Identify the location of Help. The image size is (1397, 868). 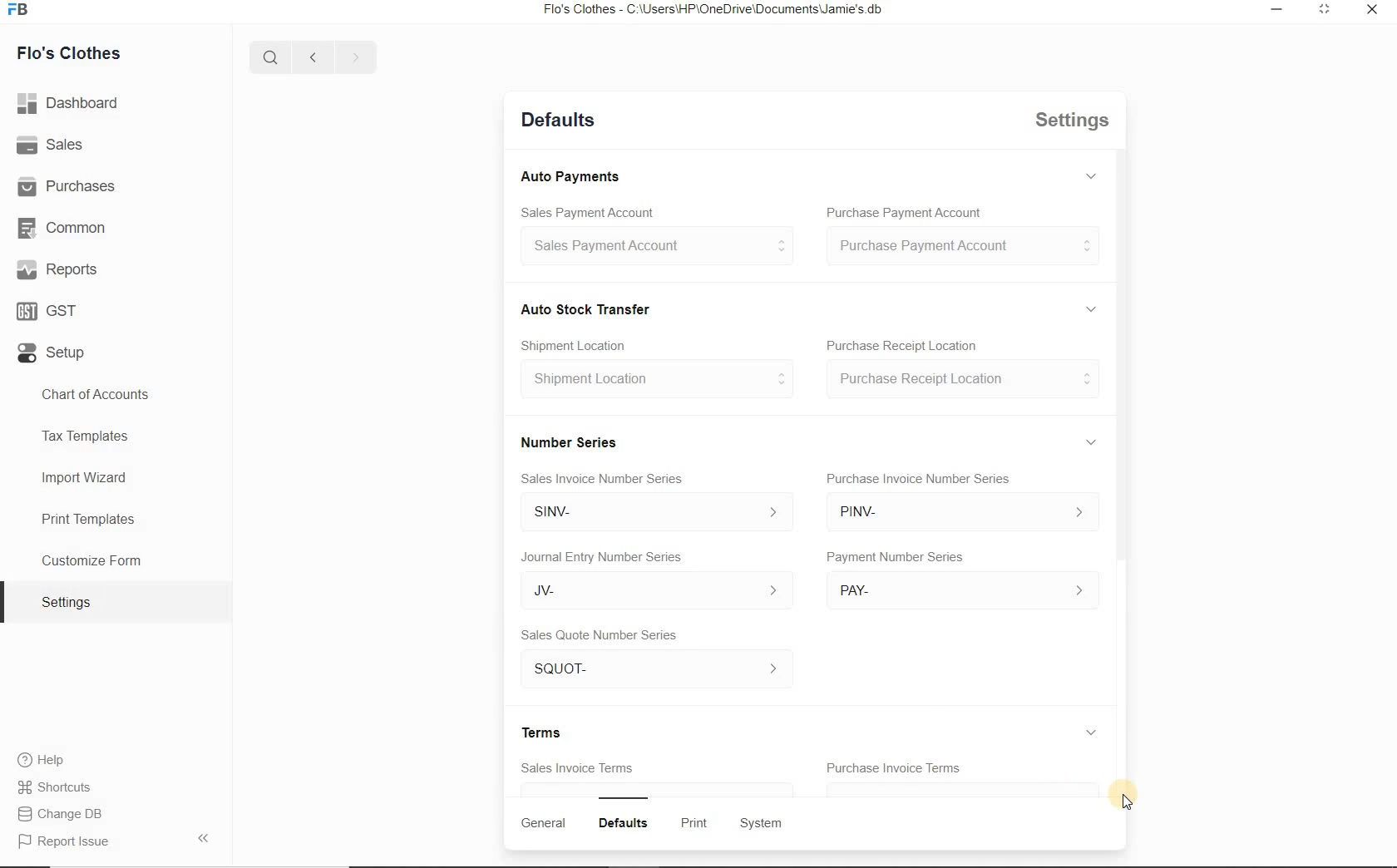
(47, 762).